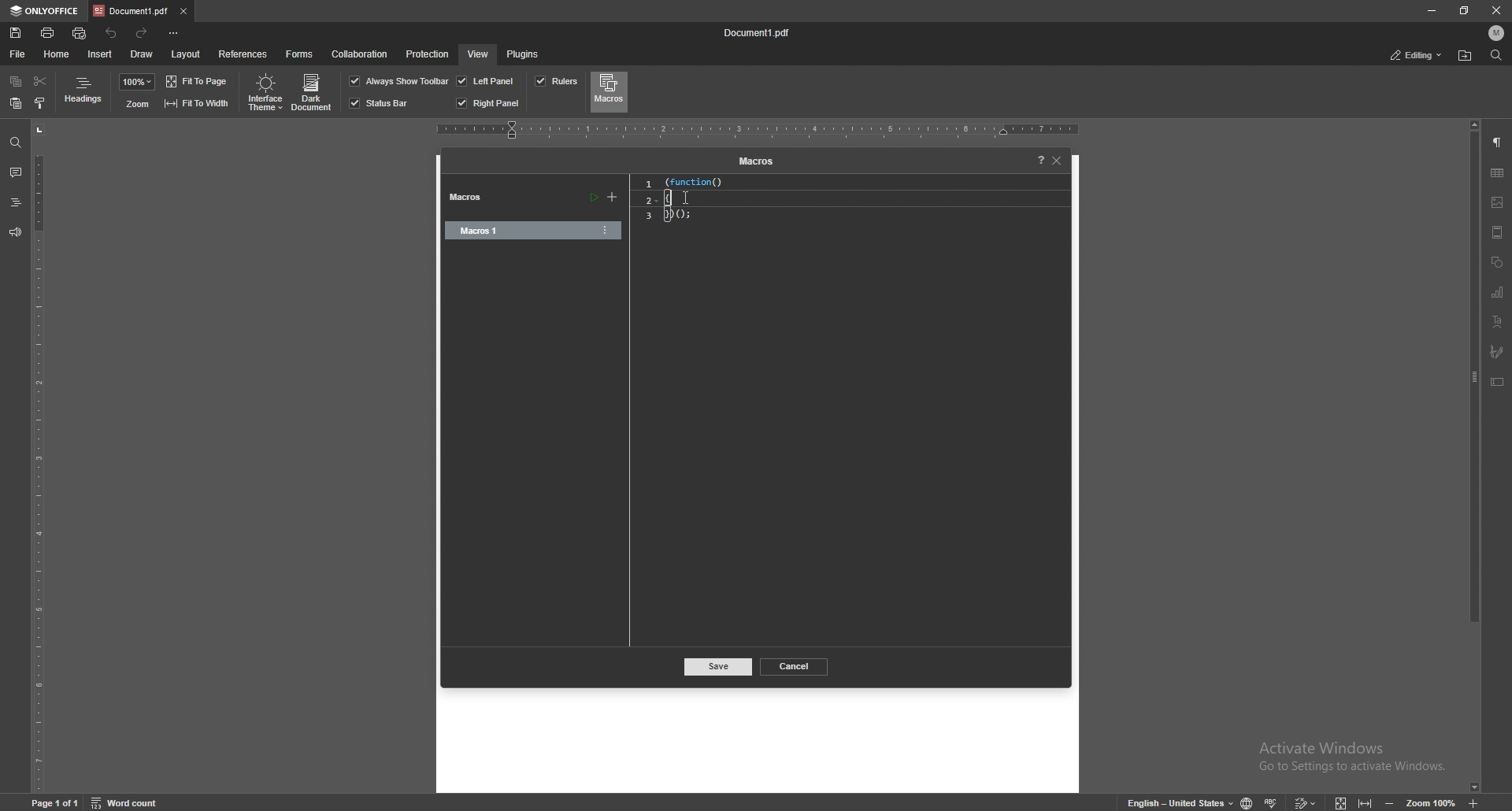 The width and height of the screenshot is (1512, 811). I want to click on run macro, so click(593, 198).